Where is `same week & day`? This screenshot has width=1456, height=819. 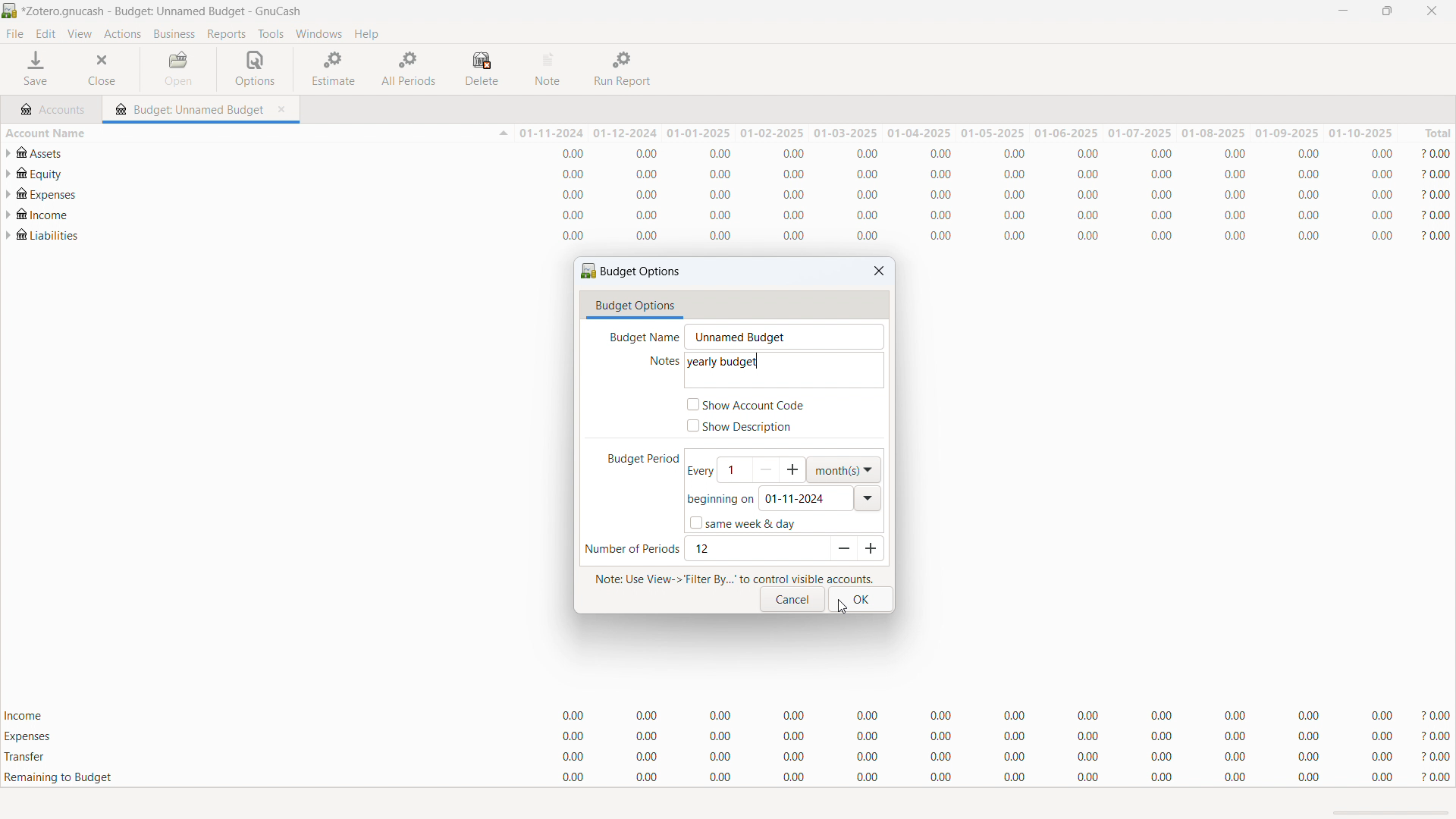
same week & day is located at coordinates (742, 522).